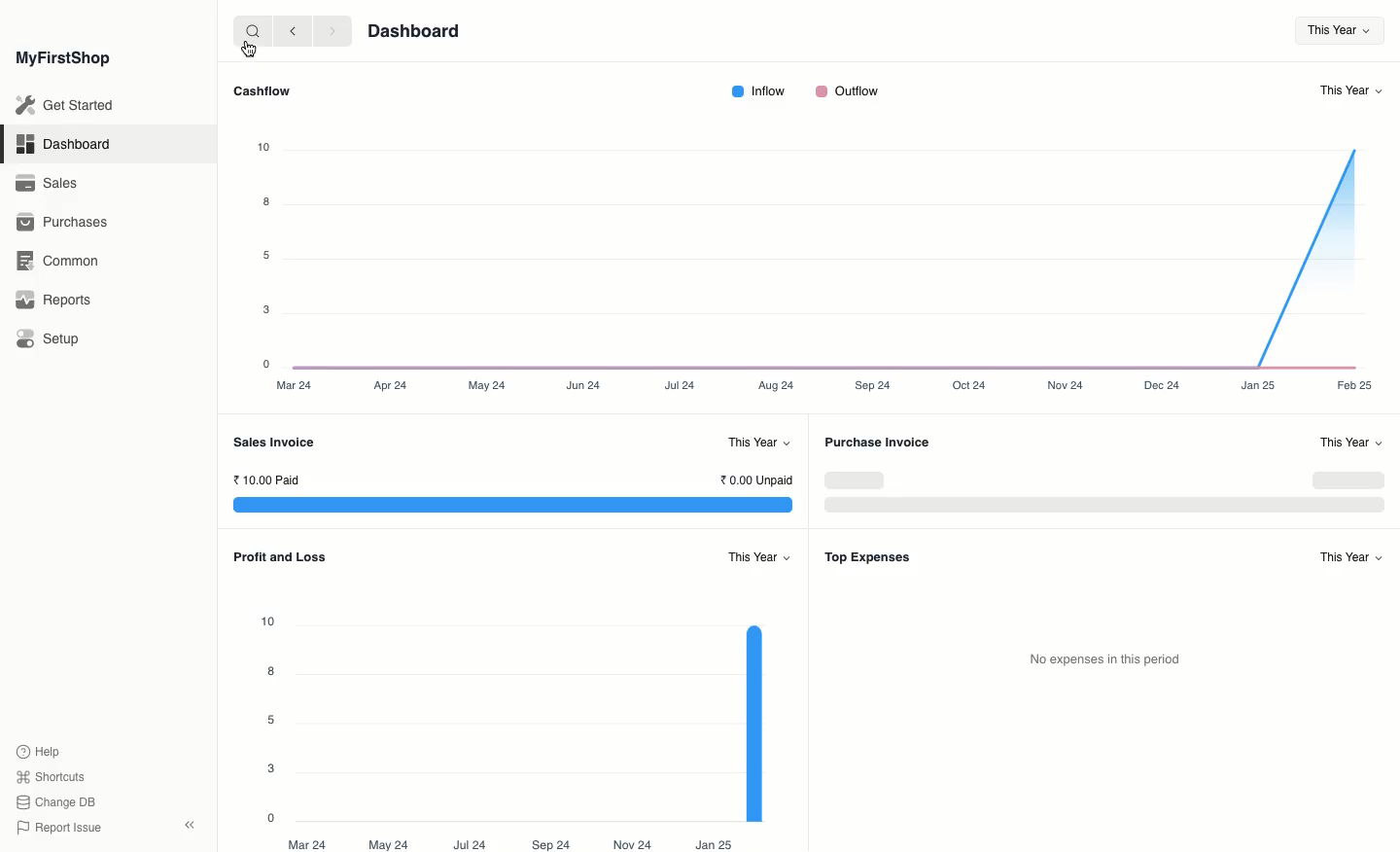  I want to click on backward <, so click(288, 33).